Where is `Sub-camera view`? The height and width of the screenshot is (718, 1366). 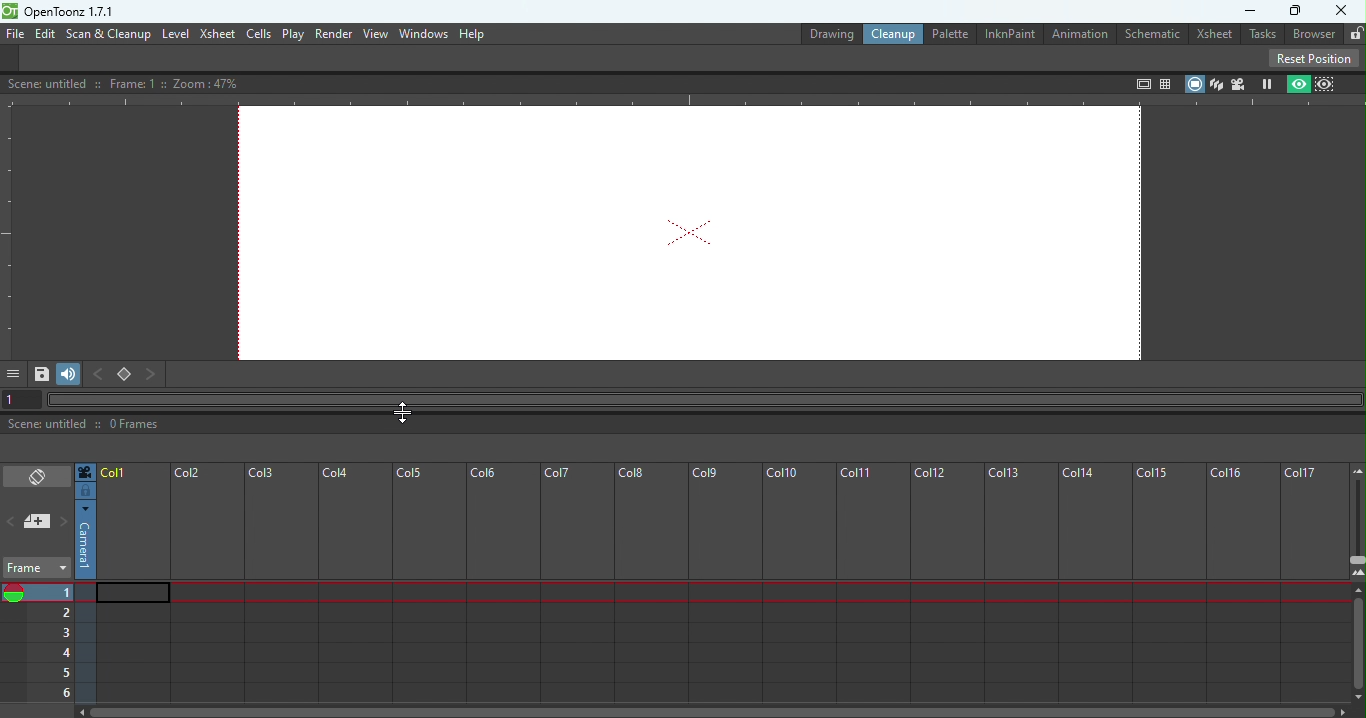 Sub-camera view is located at coordinates (1328, 82).